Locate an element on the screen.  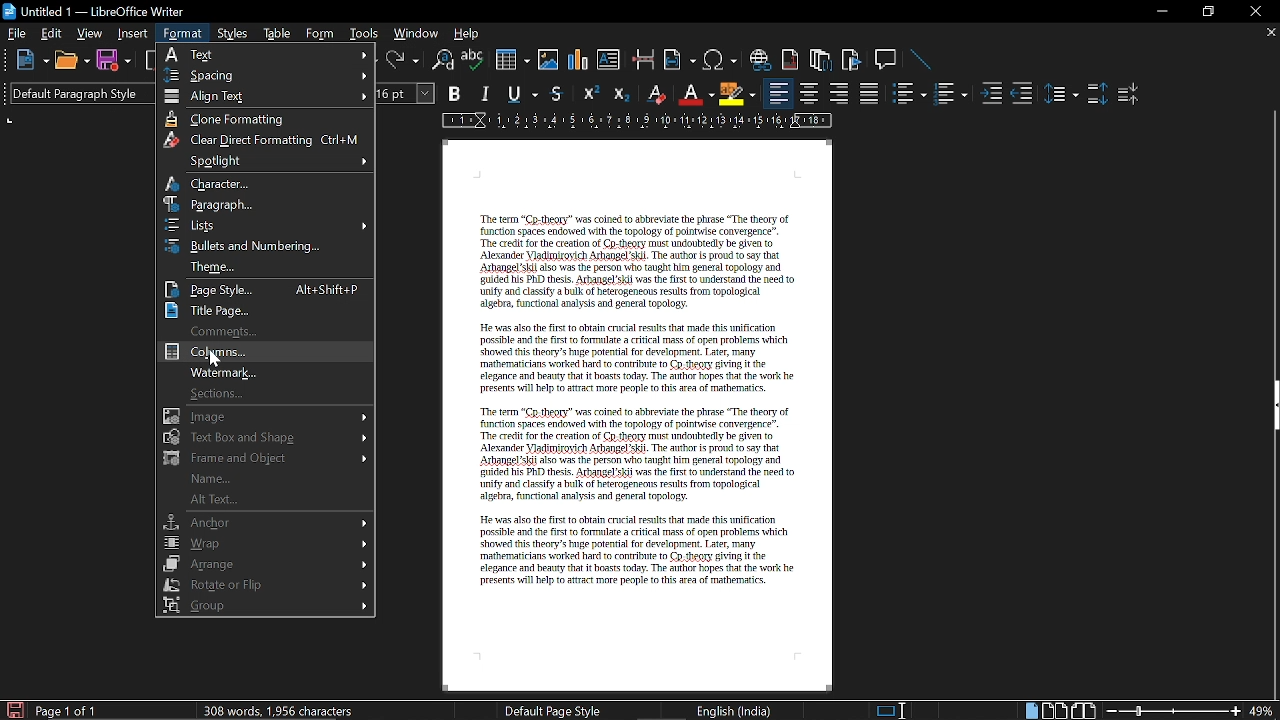
Header is located at coordinates (634, 160).